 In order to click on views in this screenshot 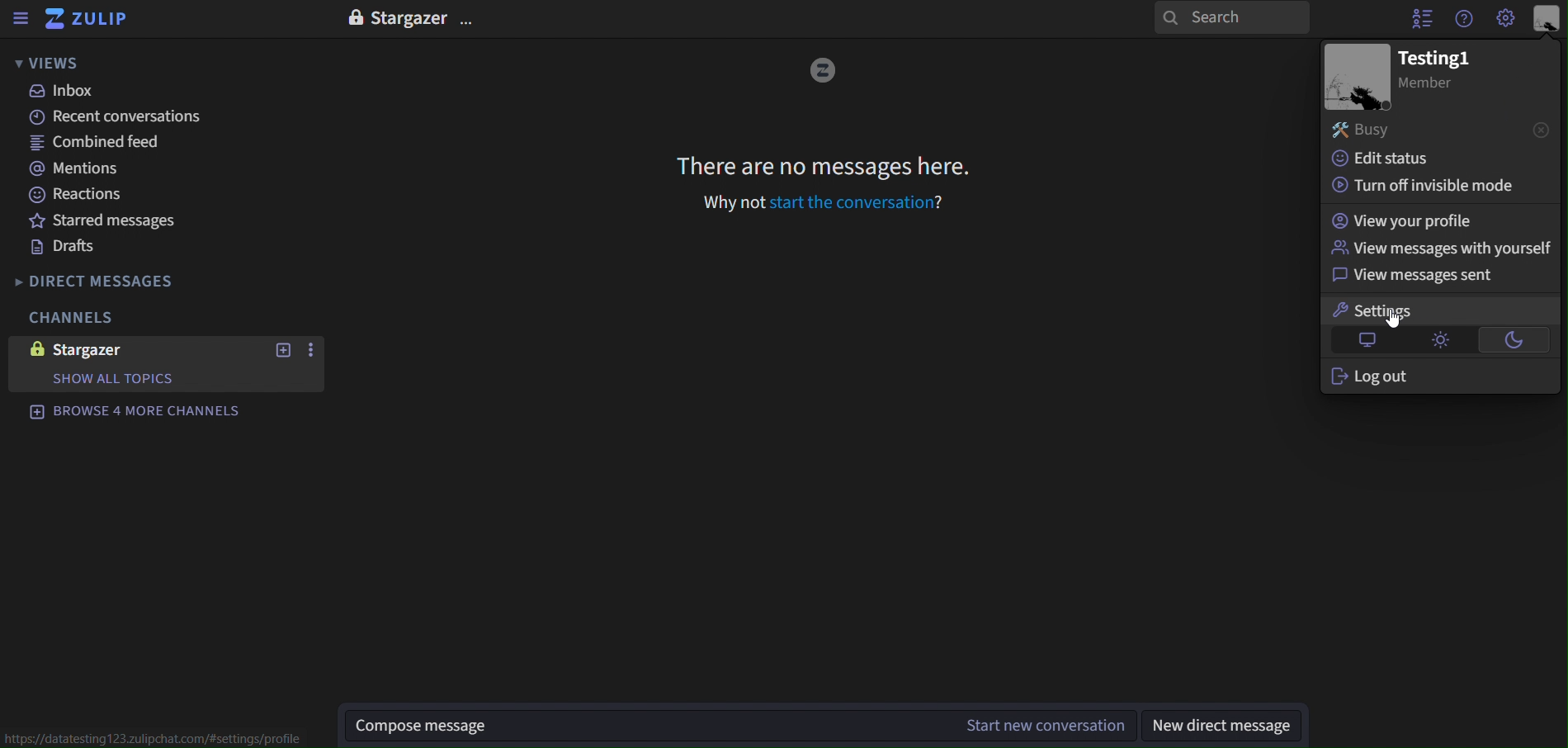, I will do `click(48, 64)`.